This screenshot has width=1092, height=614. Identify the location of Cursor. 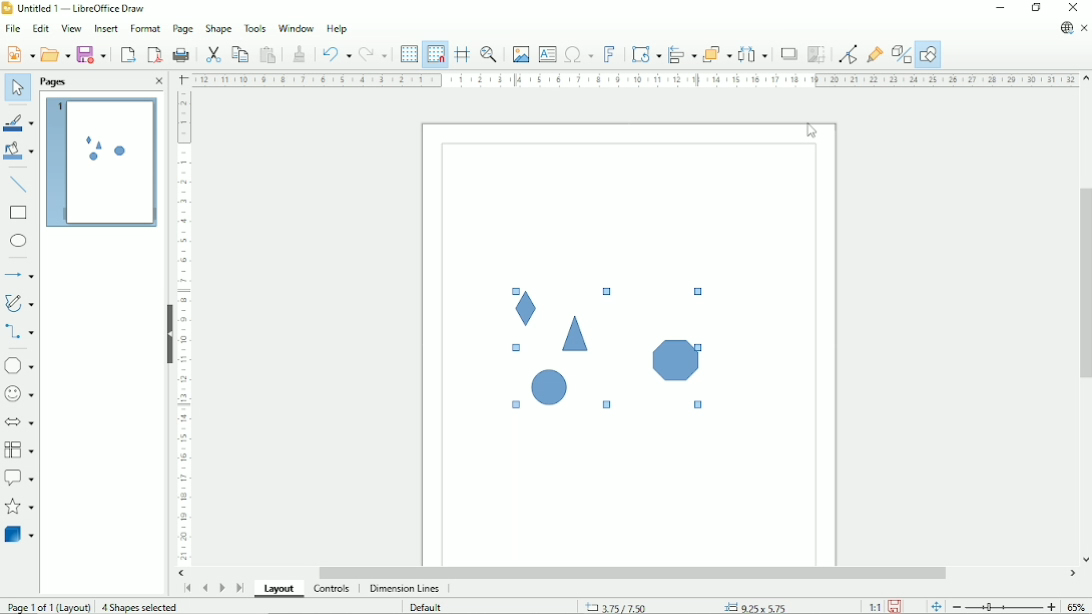
(813, 132).